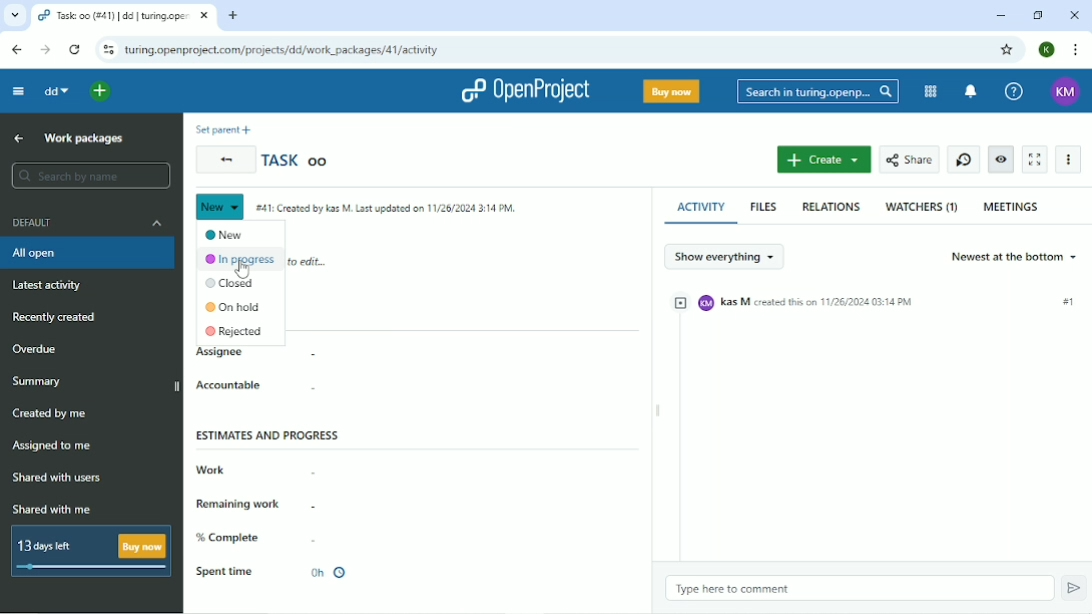  Describe the element at coordinates (999, 15) in the screenshot. I see `Minimize` at that location.